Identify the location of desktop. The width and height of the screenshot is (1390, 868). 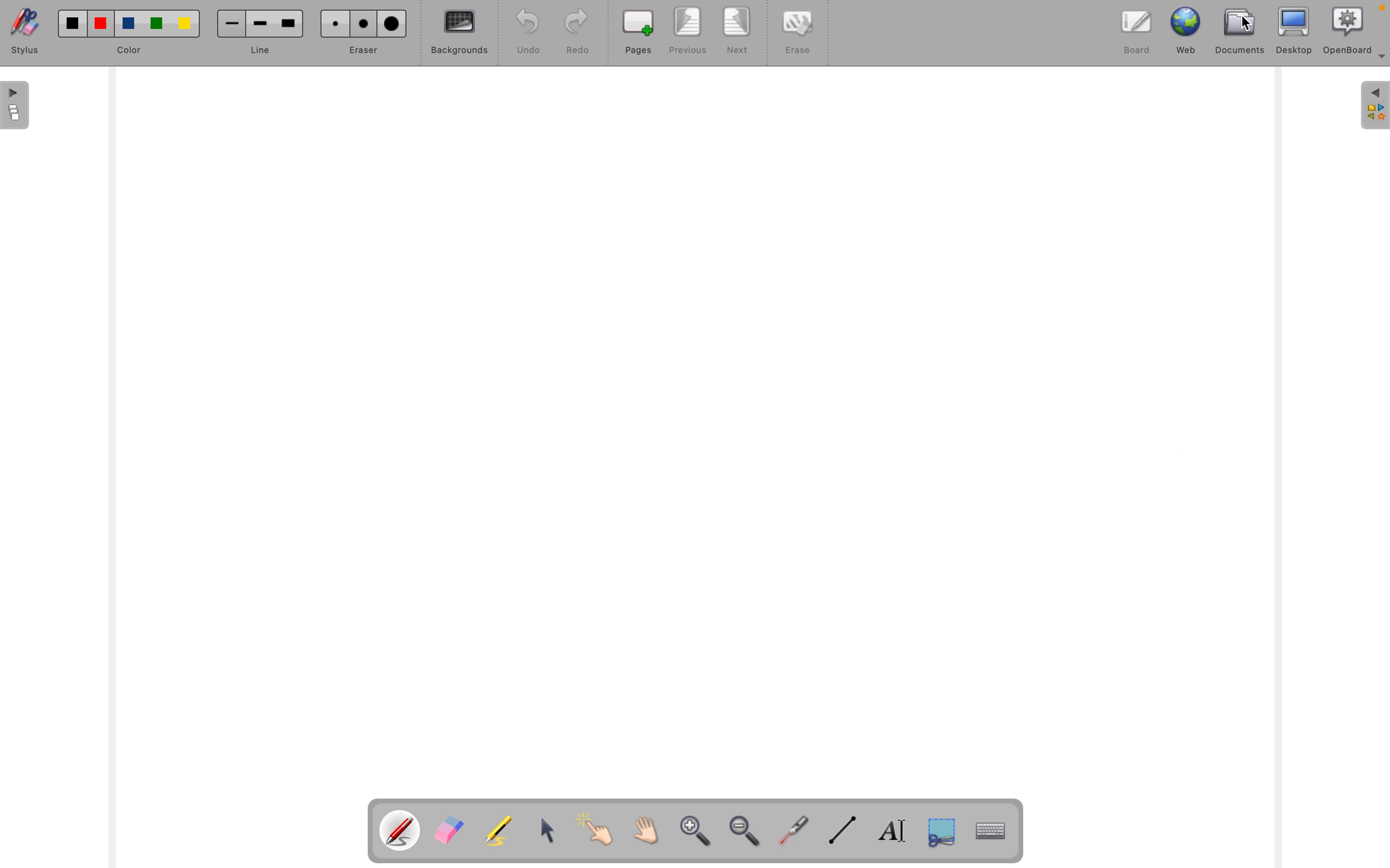
(1288, 30).